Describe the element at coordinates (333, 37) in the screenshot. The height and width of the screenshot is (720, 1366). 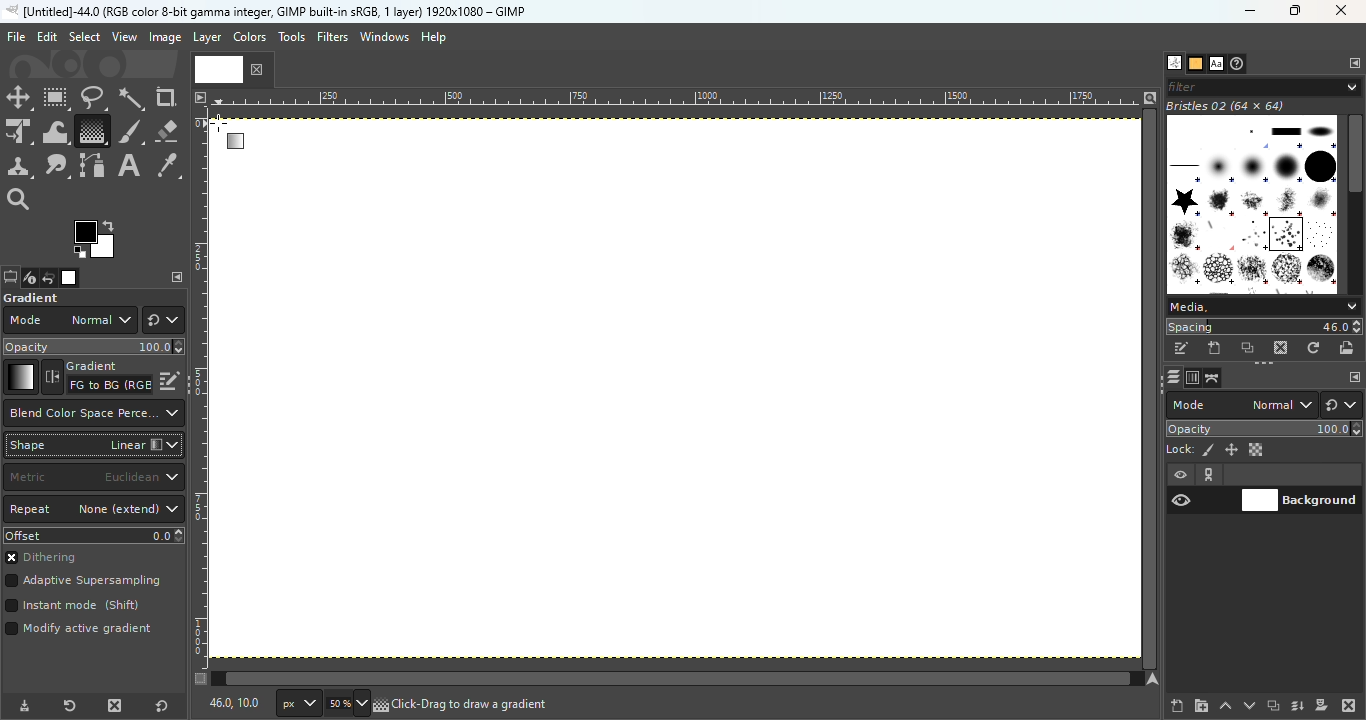
I see `Filters` at that location.